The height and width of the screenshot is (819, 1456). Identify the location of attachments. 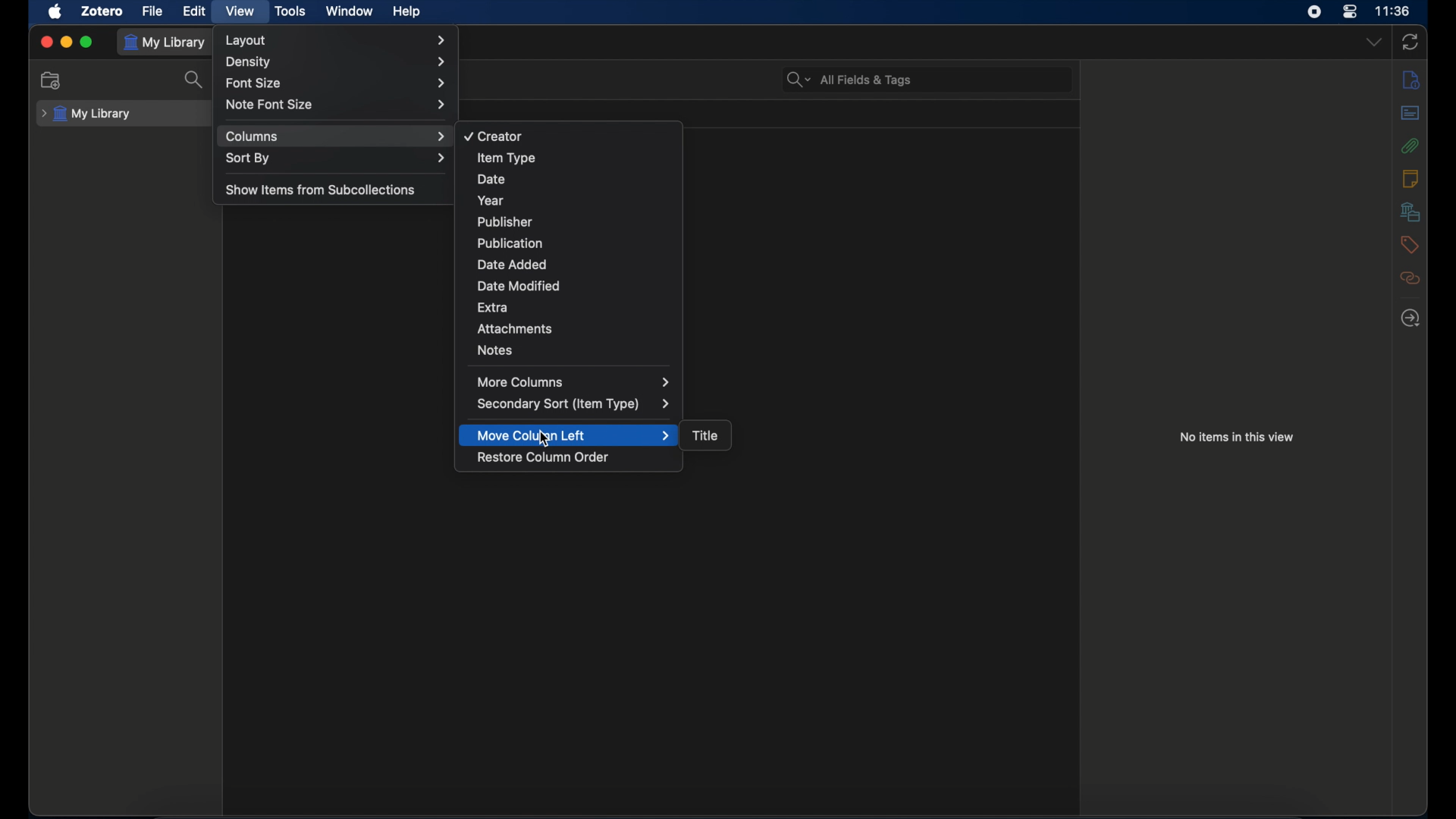
(1411, 146).